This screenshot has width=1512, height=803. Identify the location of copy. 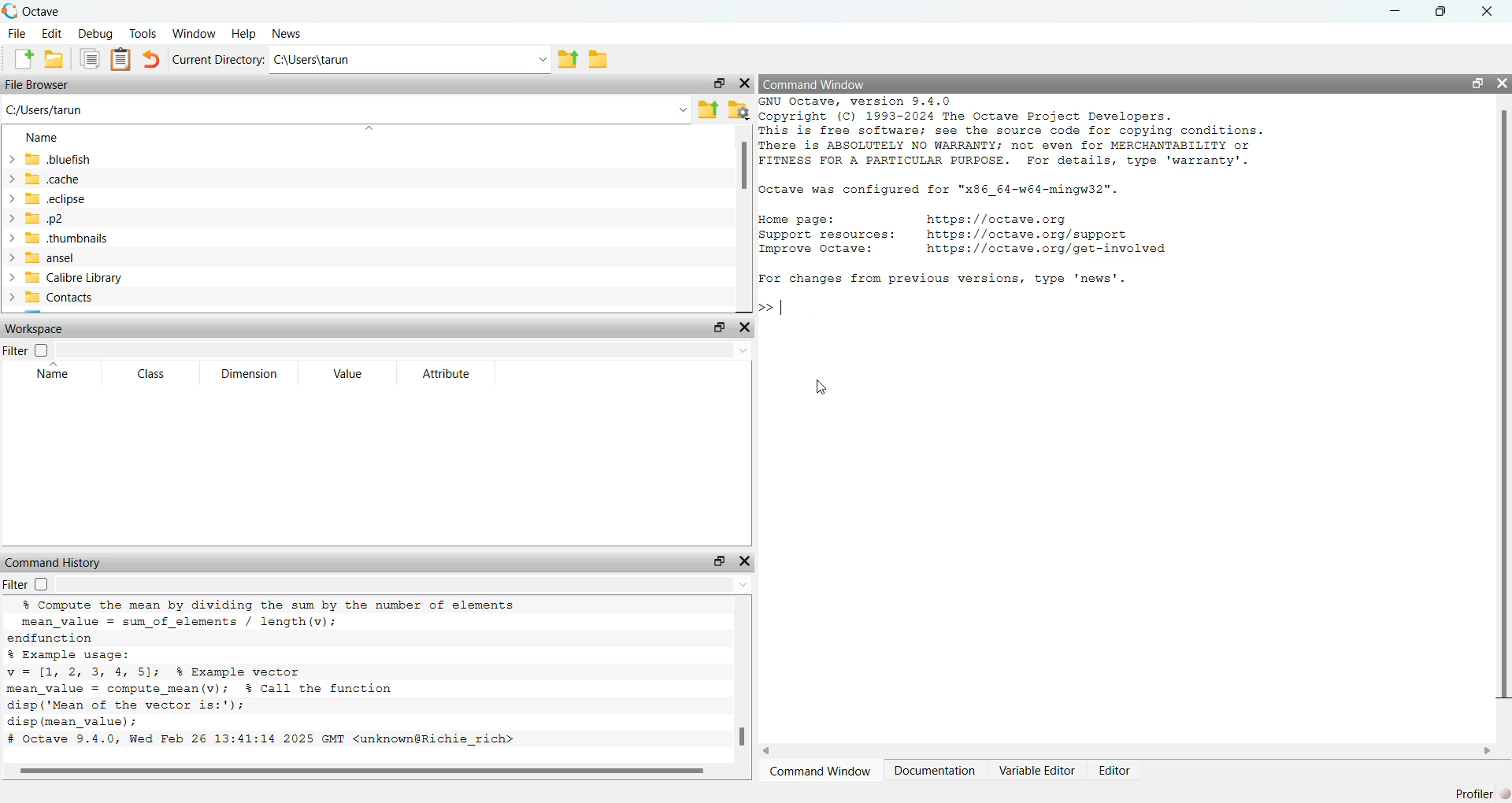
(90, 58).